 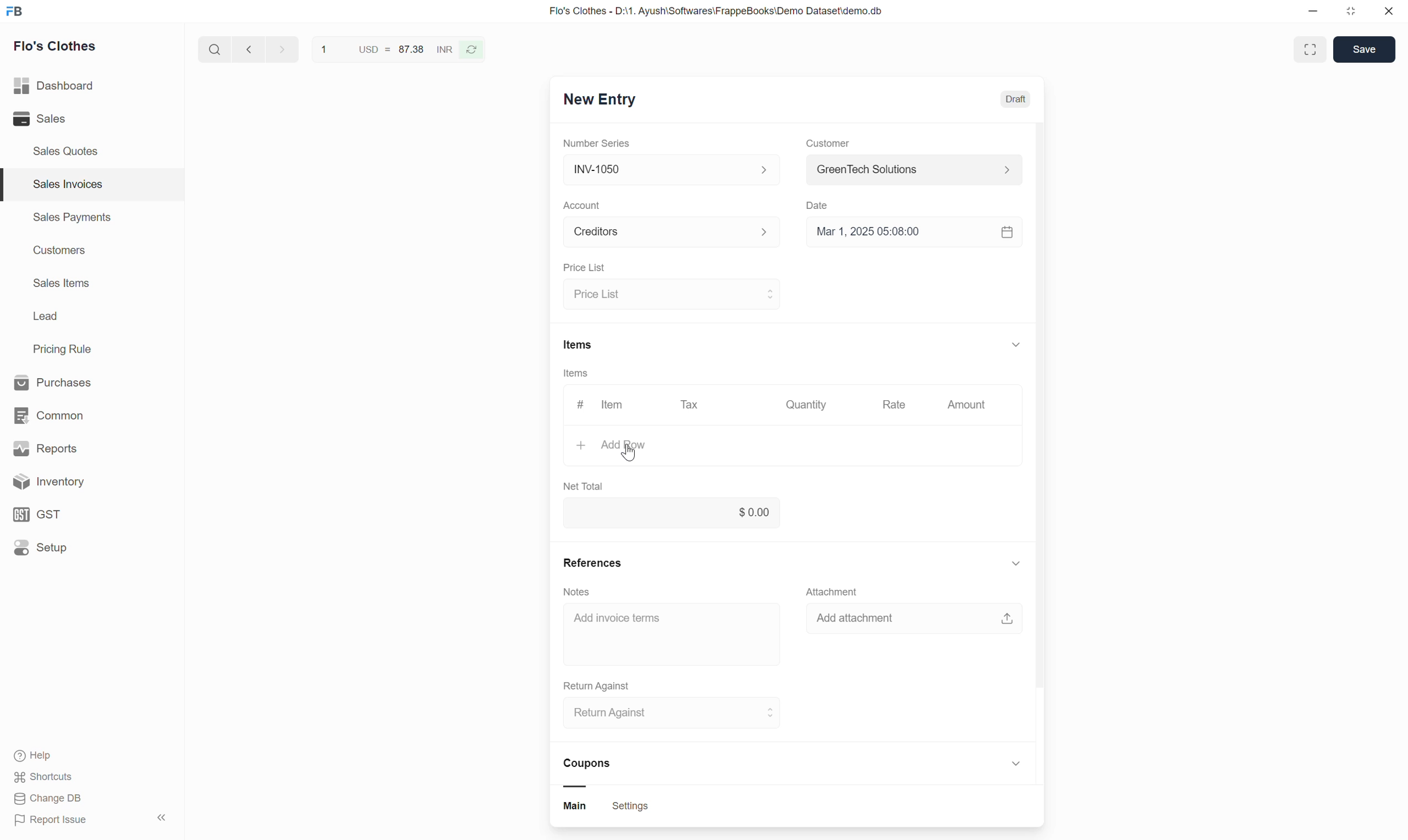 I want to click on Help, so click(x=59, y=755).